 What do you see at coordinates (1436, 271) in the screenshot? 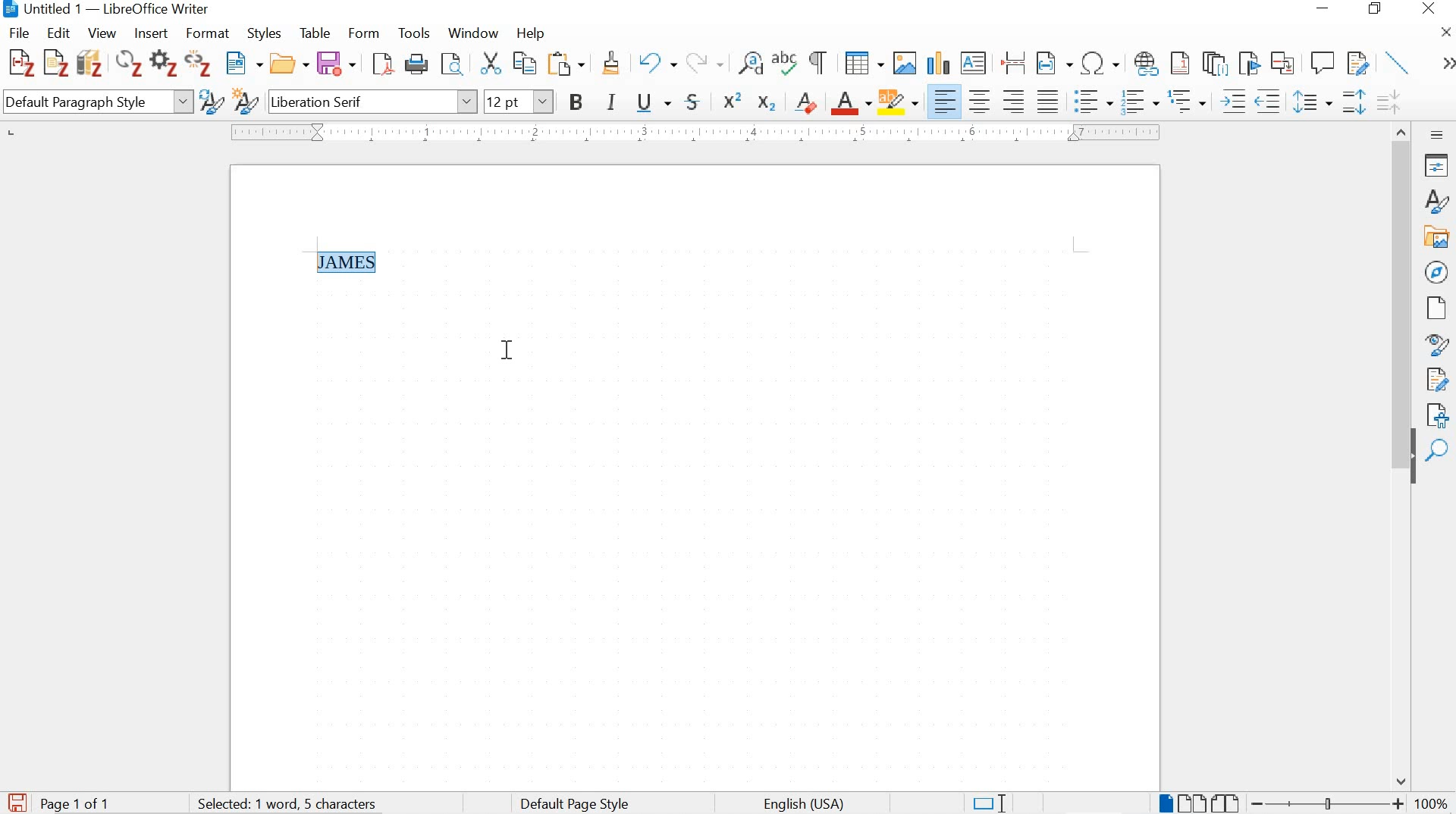
I see `navigator` at bounding box center [1436, 271].